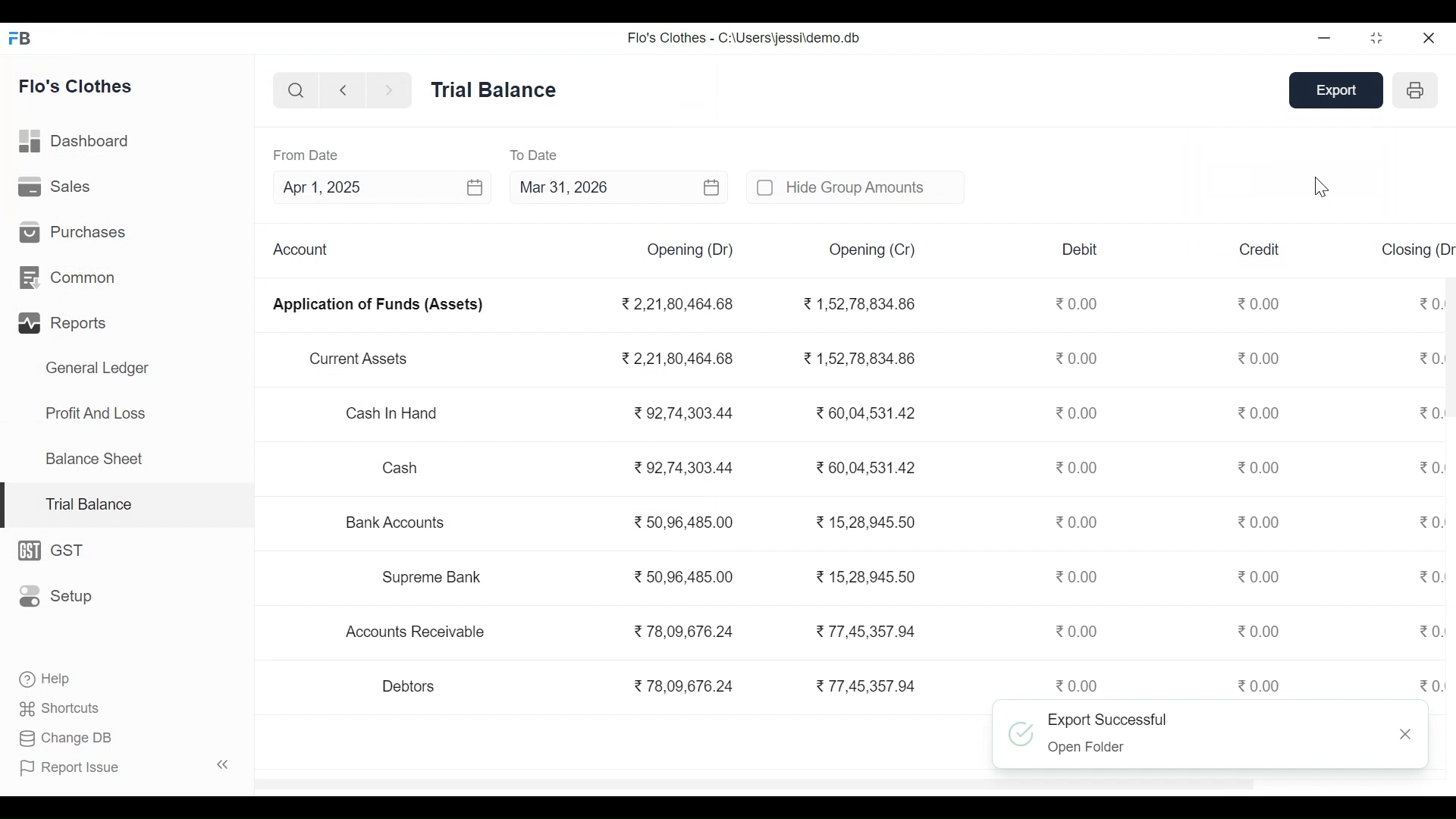  What do you see at coordinates (620, 187) in the screenshot?
I see `Mar 31, 2026` at bounding box center [620, 187].